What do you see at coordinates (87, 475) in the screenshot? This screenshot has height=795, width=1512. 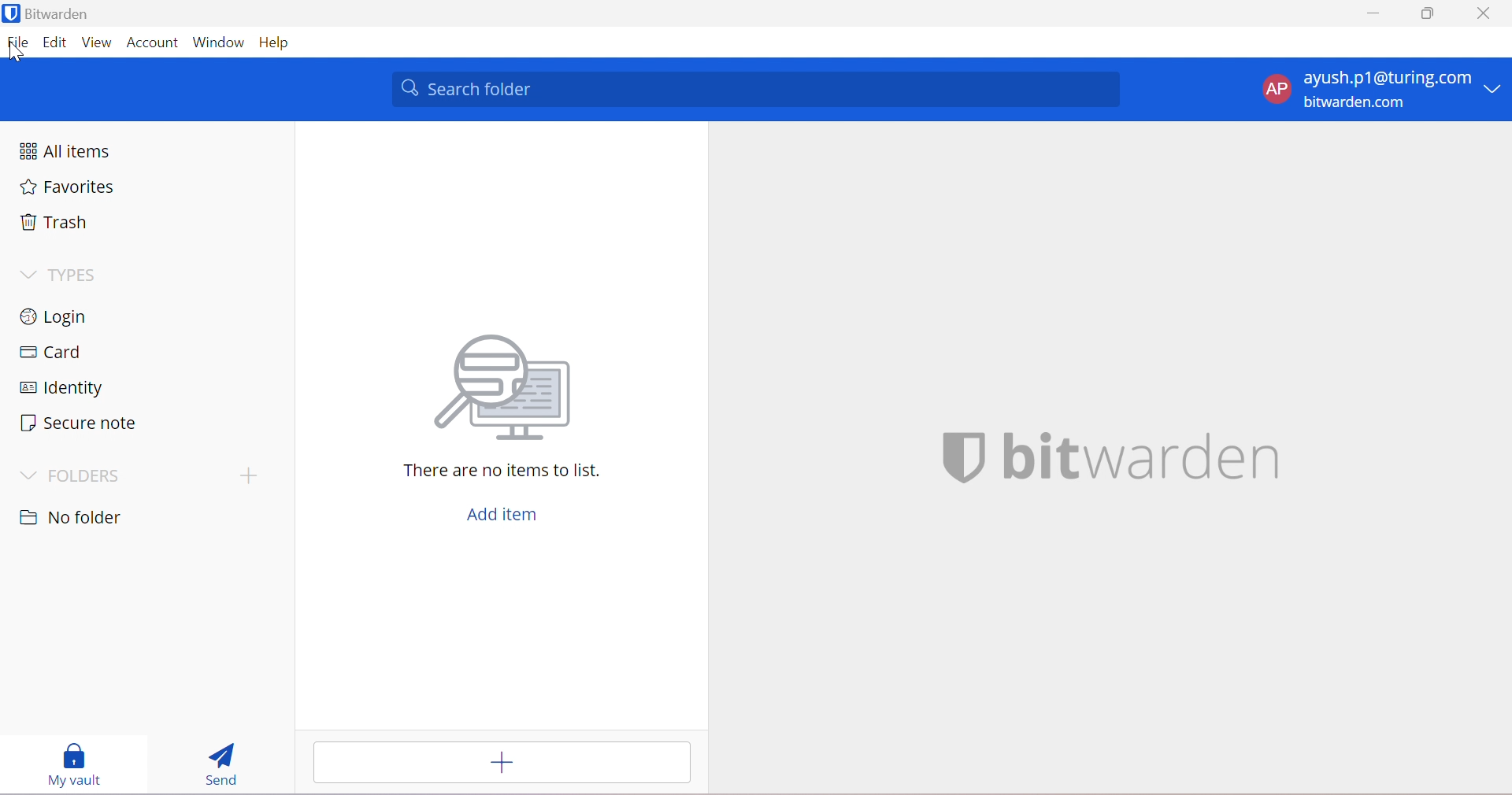 I see `FOLDERS` at bounding box center [87, 475].